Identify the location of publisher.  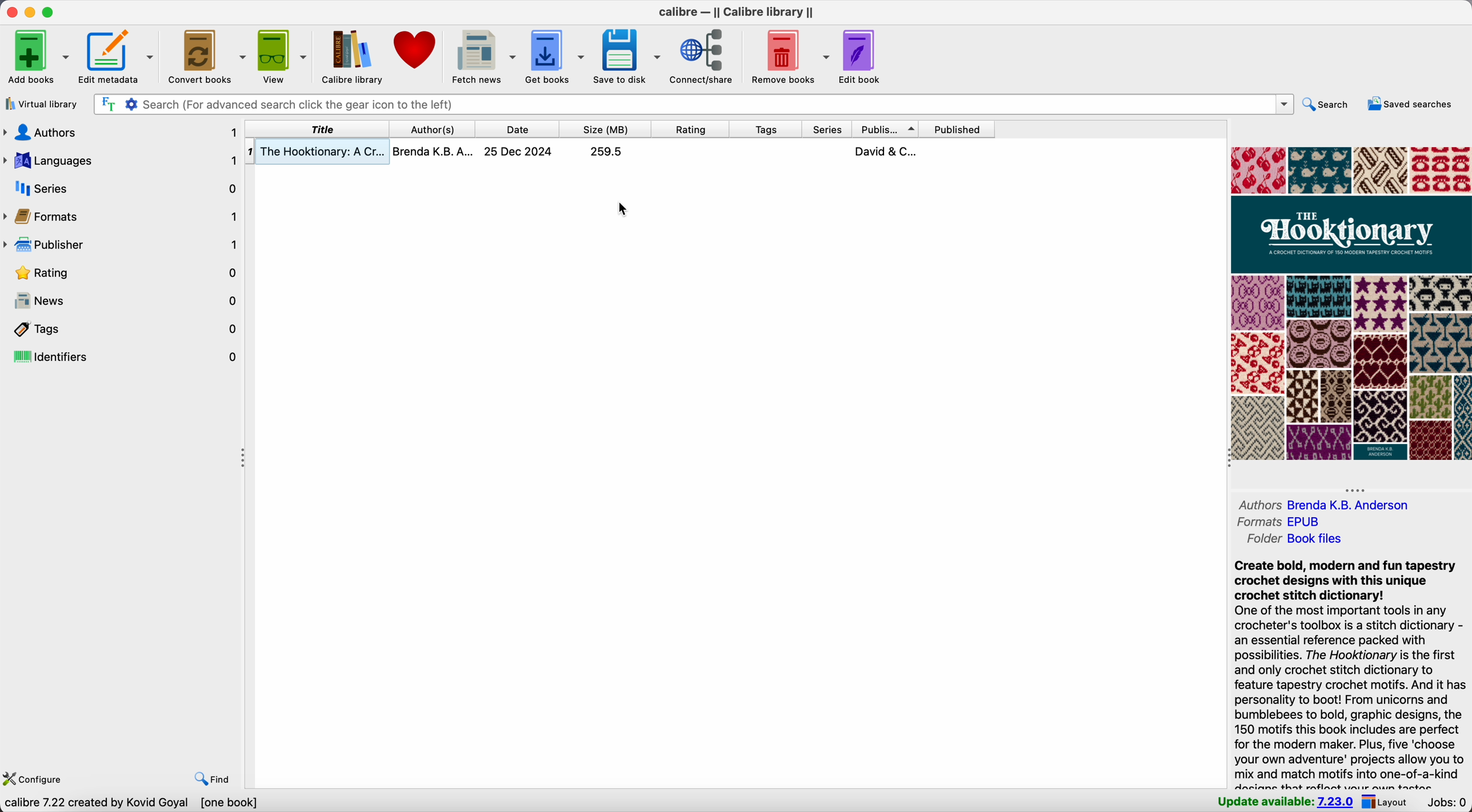
(888, 128).